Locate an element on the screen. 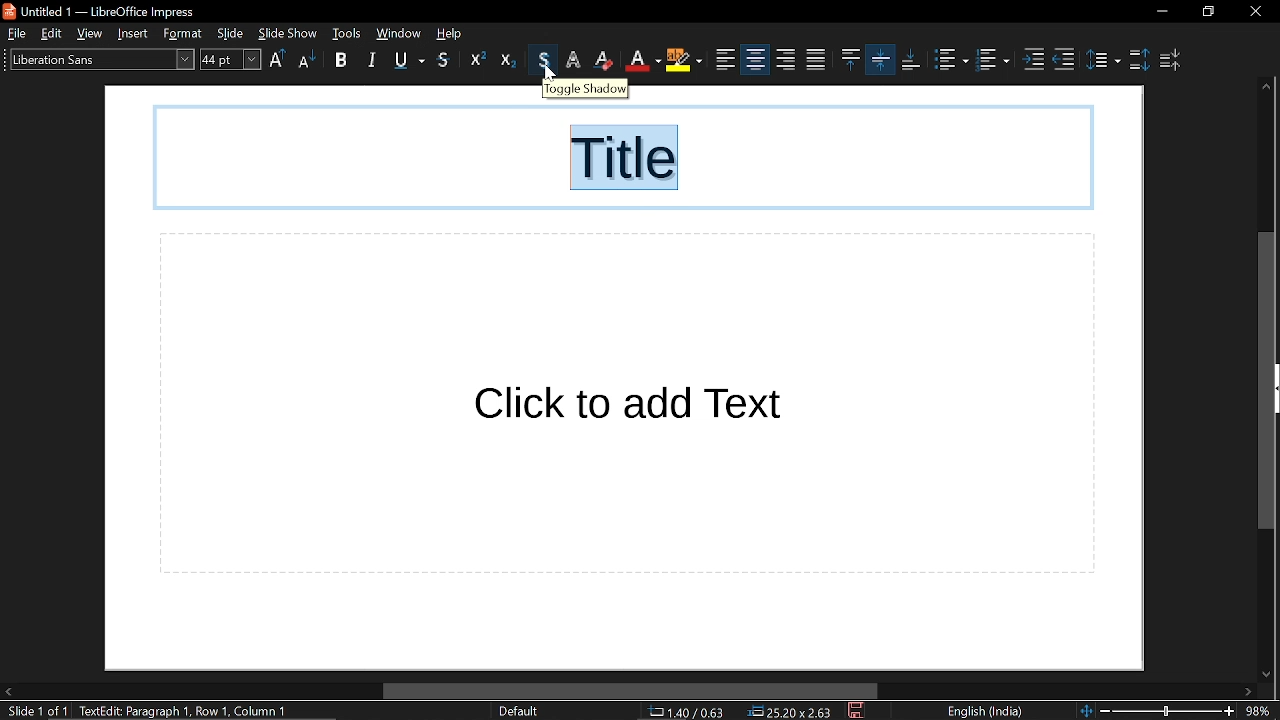 The width and height of the screenshot is (1280, 720). center is located at coordinates (726, 60).